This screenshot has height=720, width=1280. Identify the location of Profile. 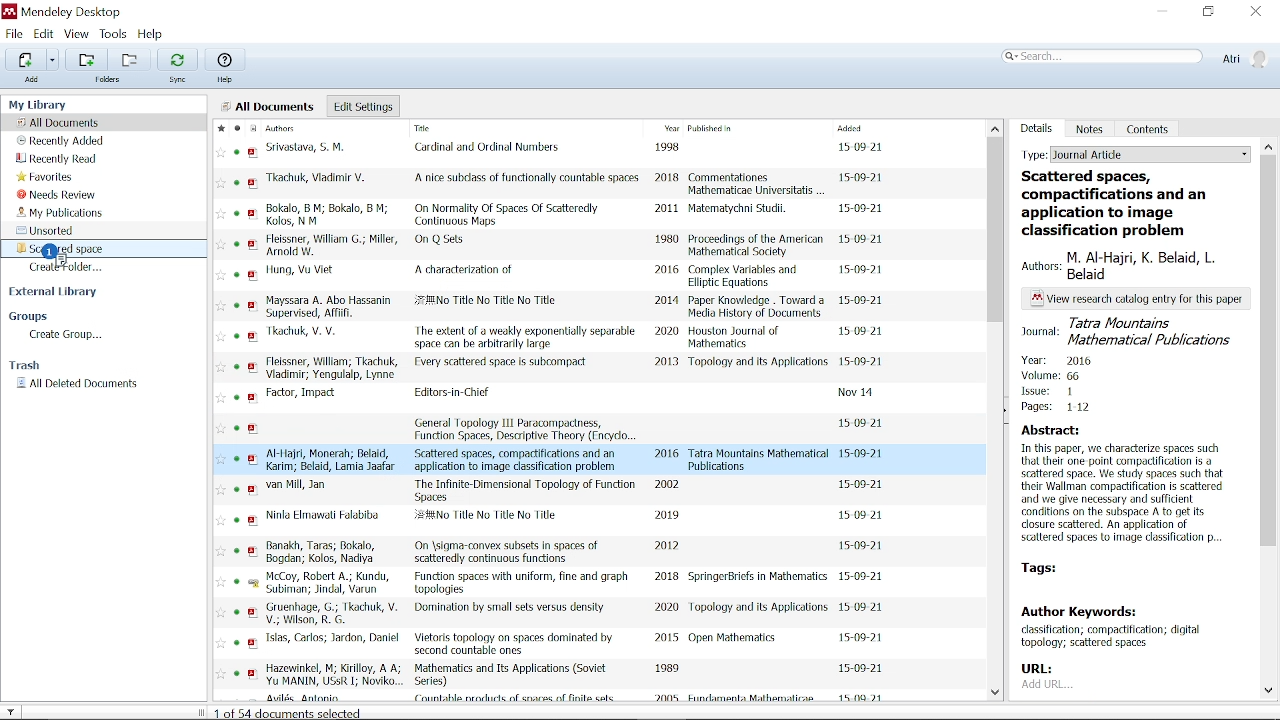
(1244, 59).